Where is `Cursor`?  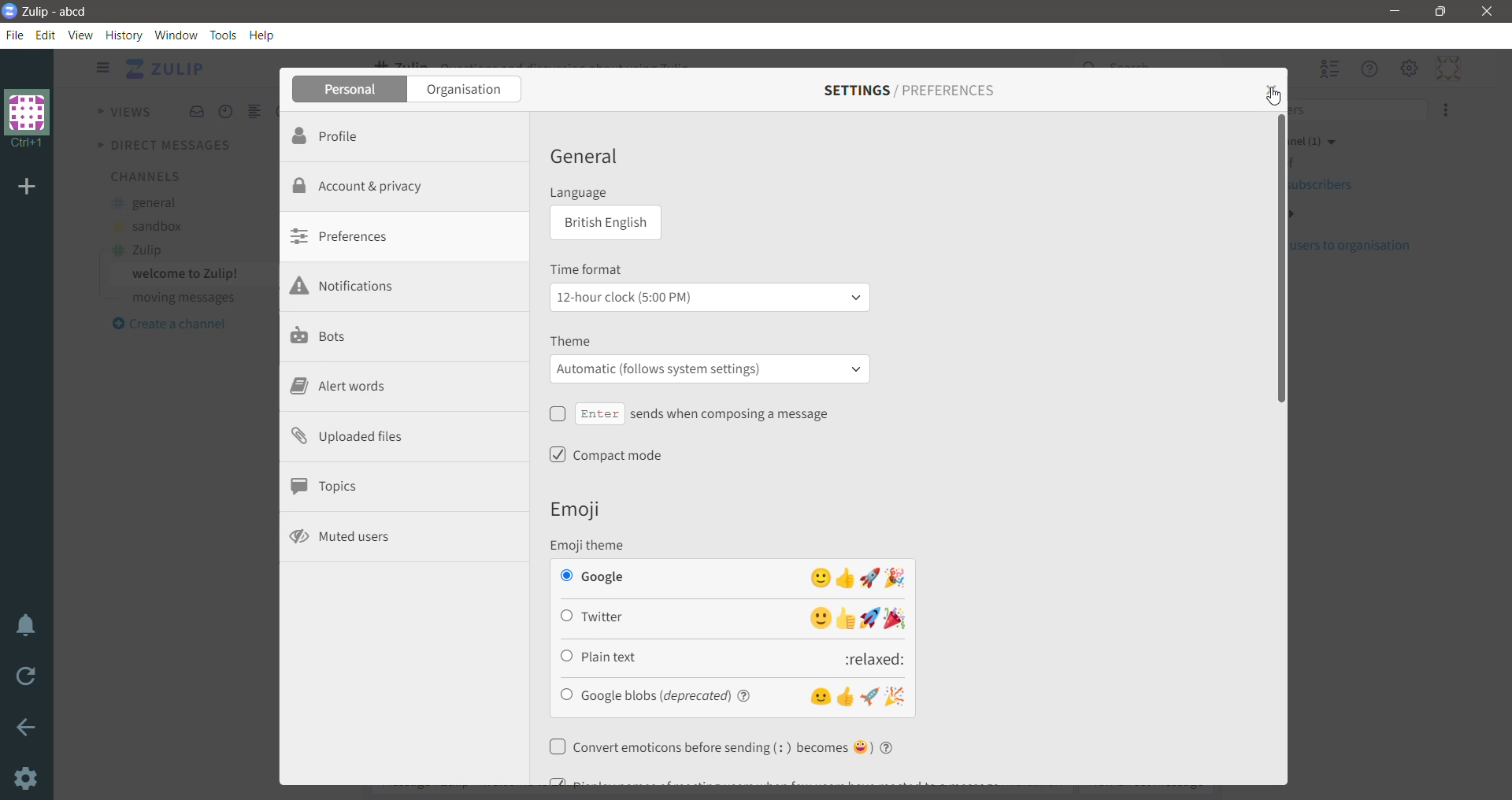
Cursor is located at coordinates (1277, 97).